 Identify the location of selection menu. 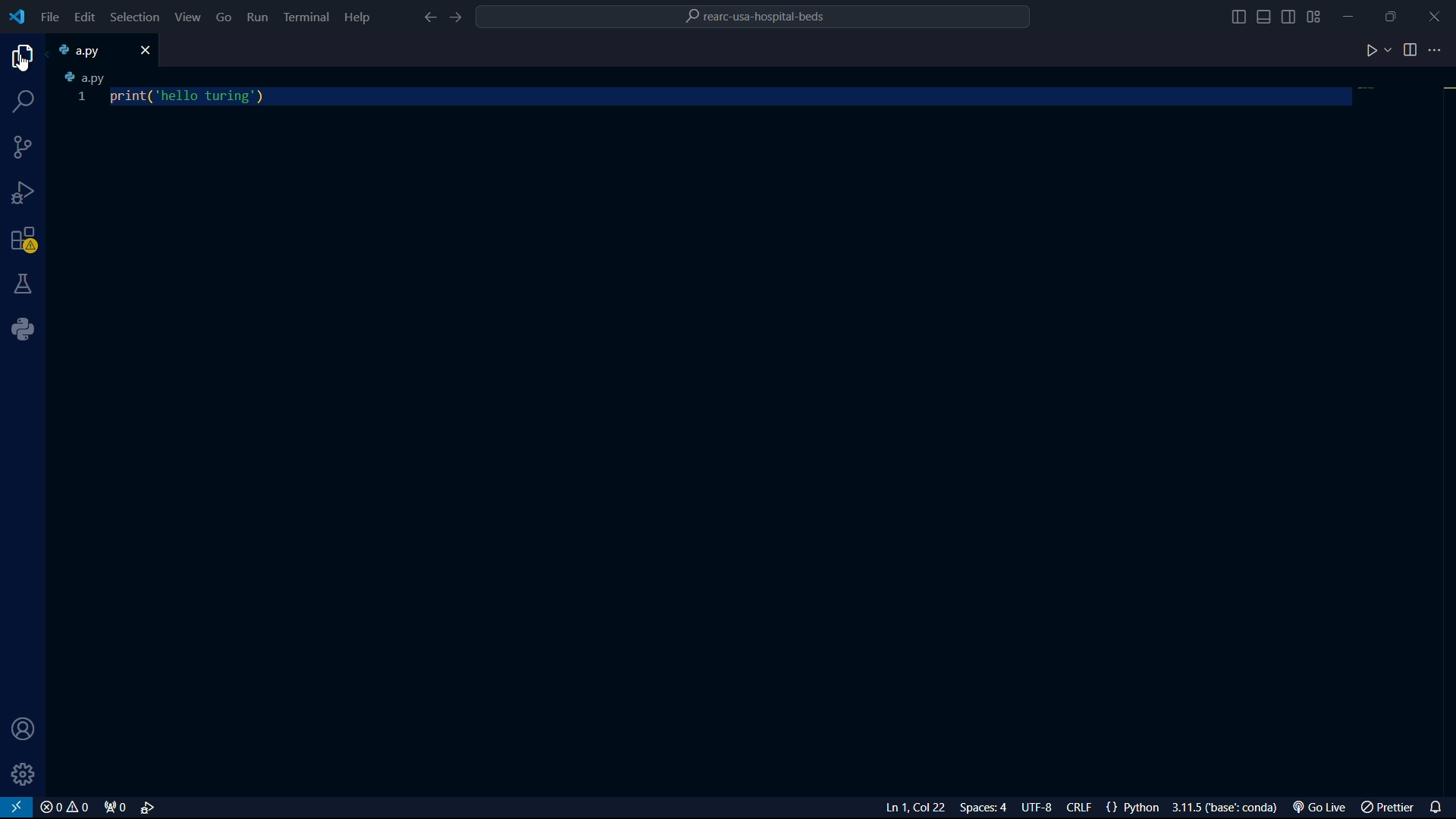
(134, 17).